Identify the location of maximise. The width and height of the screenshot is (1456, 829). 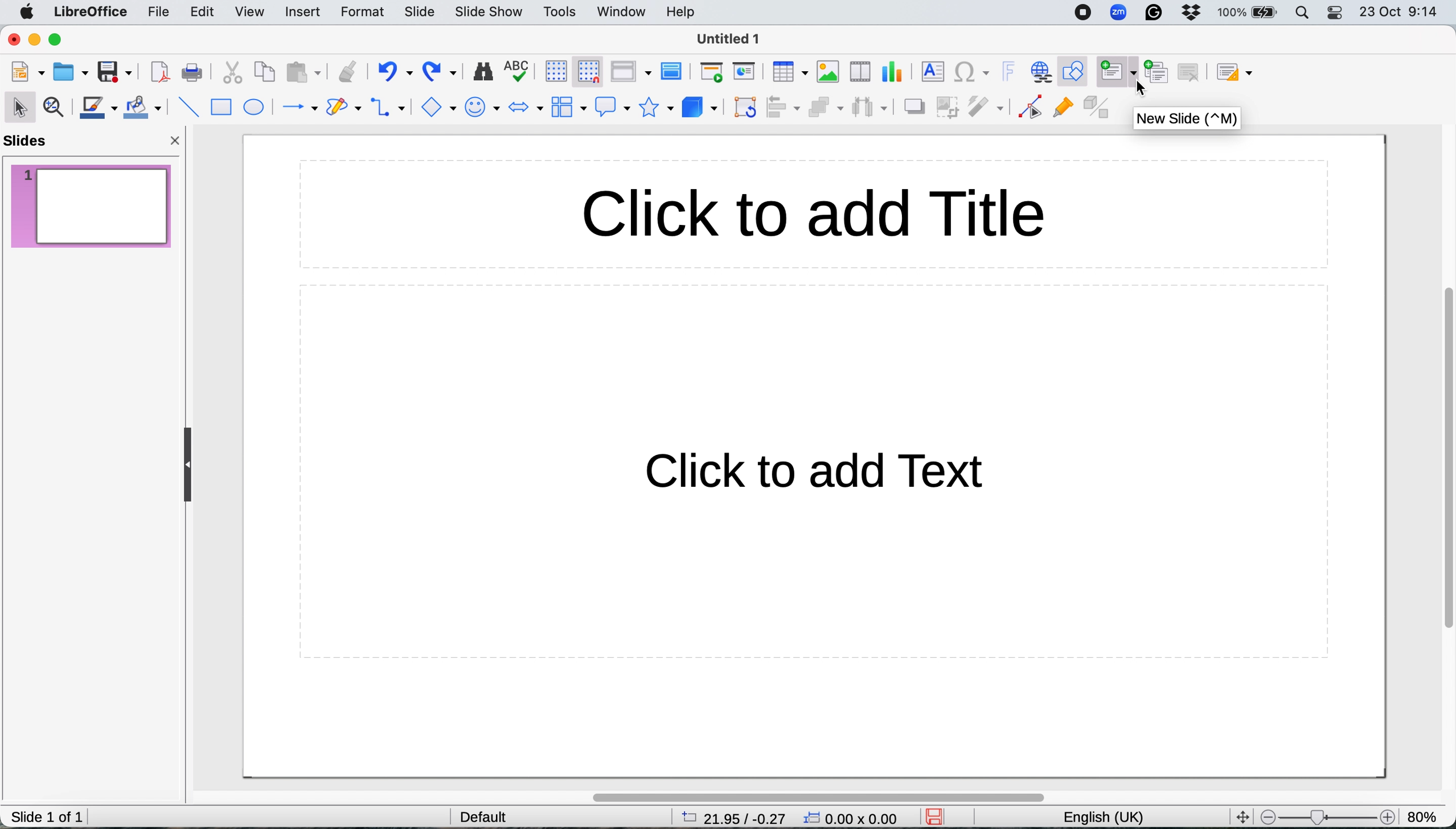
(57, 40).